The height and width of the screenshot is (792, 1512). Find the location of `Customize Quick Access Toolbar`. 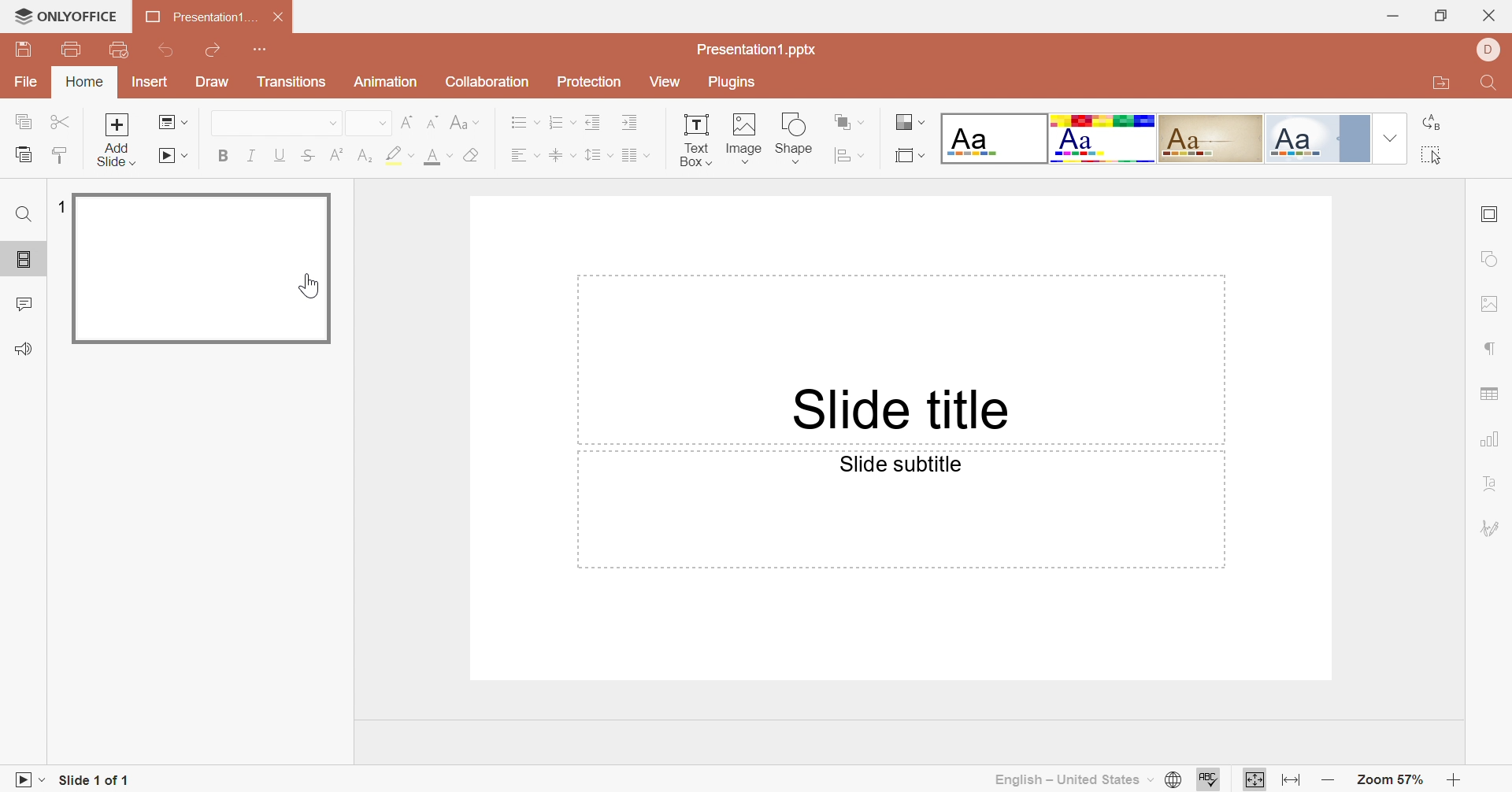

Customize Quick Access Toolbar is located at coordinates (264, 50).